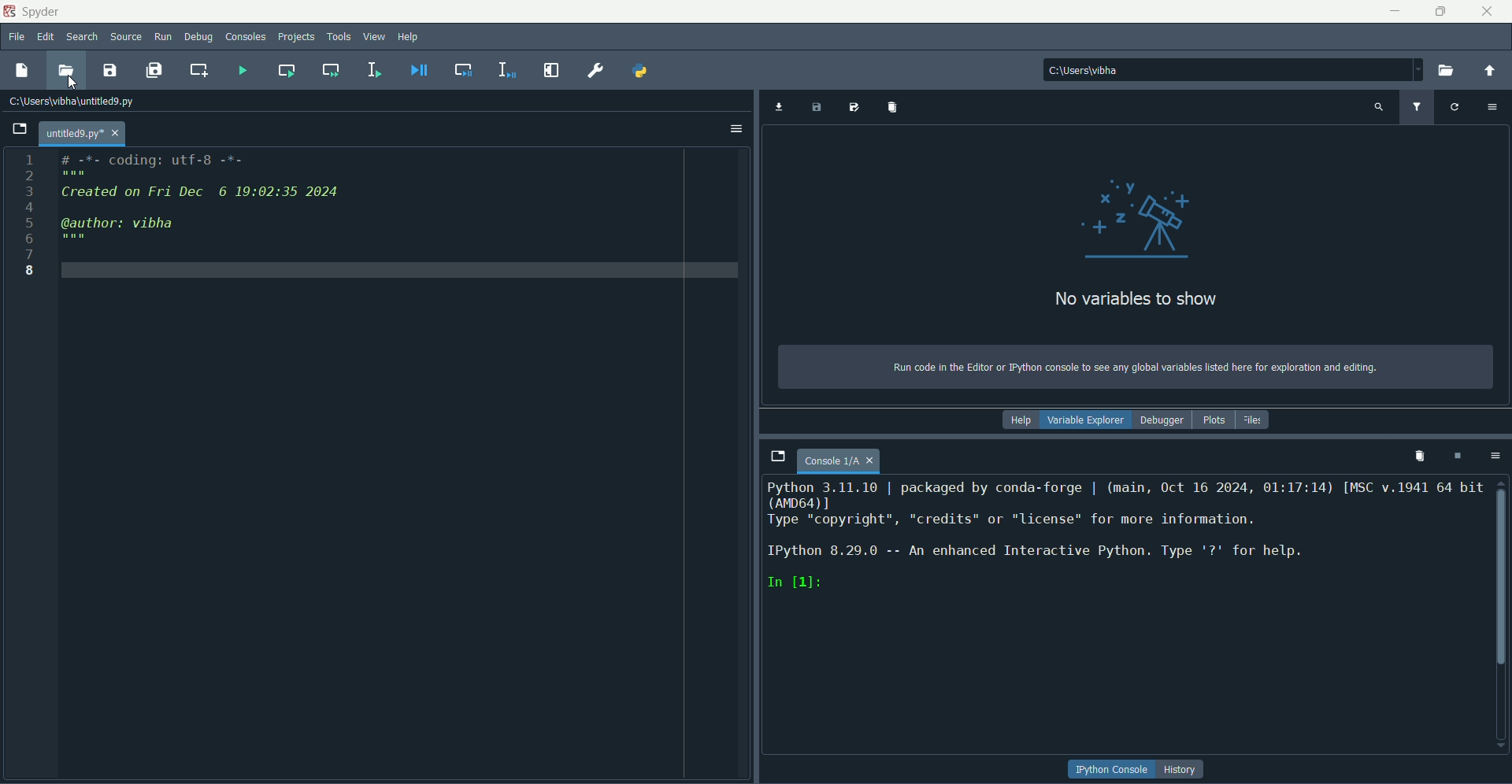  What do you see at coordinates (1113, 768) in the screenshot?
I see `button` at bounding box center [1113, 768].